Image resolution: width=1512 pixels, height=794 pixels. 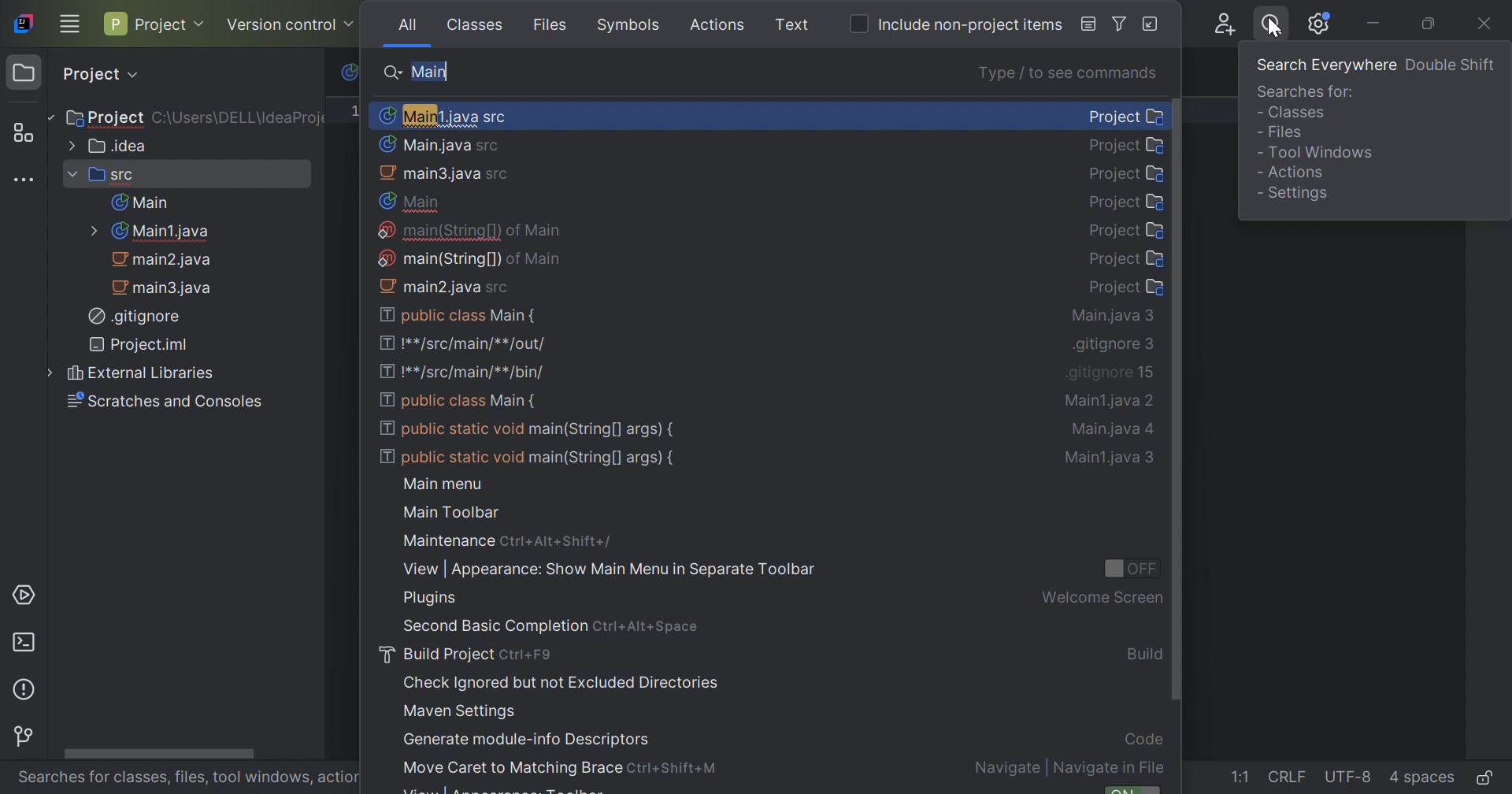 What do you see at coordinates (458, 404) in the screenshot?
I see `public class Main{` at bounding box center [458, 404].